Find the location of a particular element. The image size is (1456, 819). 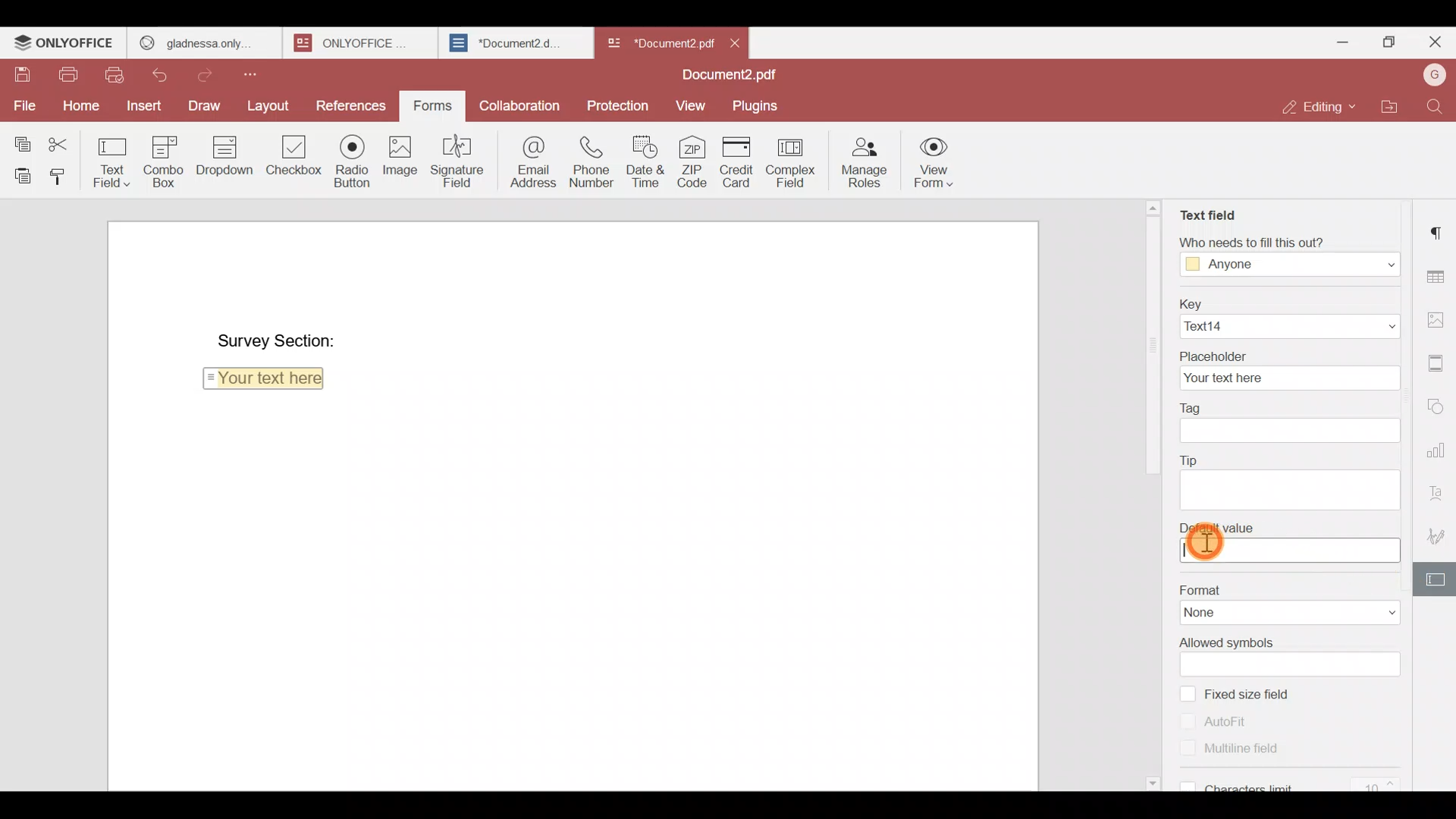

Copy style is located at coordinates (59, 173).